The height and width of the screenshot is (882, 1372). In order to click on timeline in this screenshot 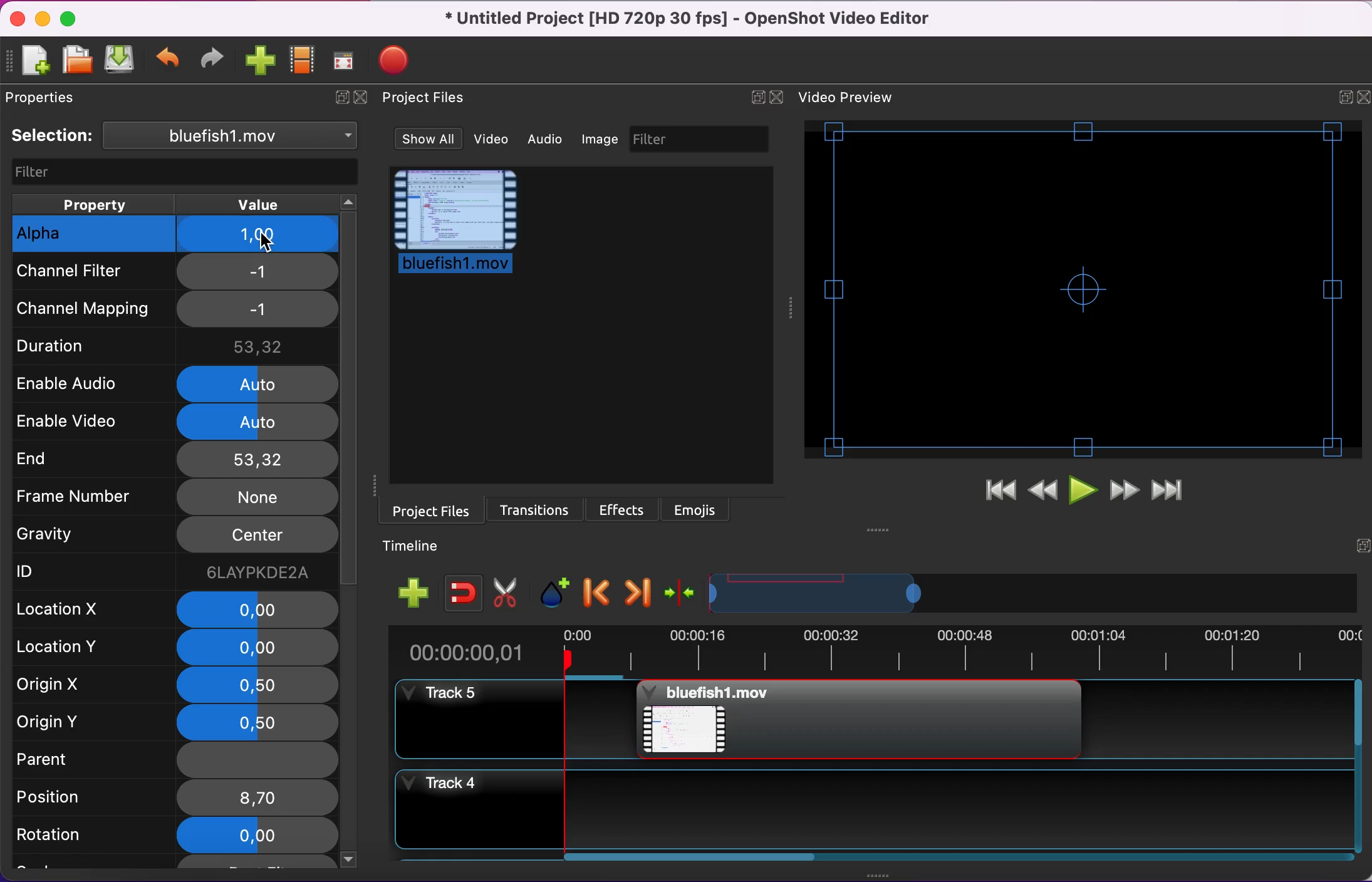, I will do `click(421, 546)`.